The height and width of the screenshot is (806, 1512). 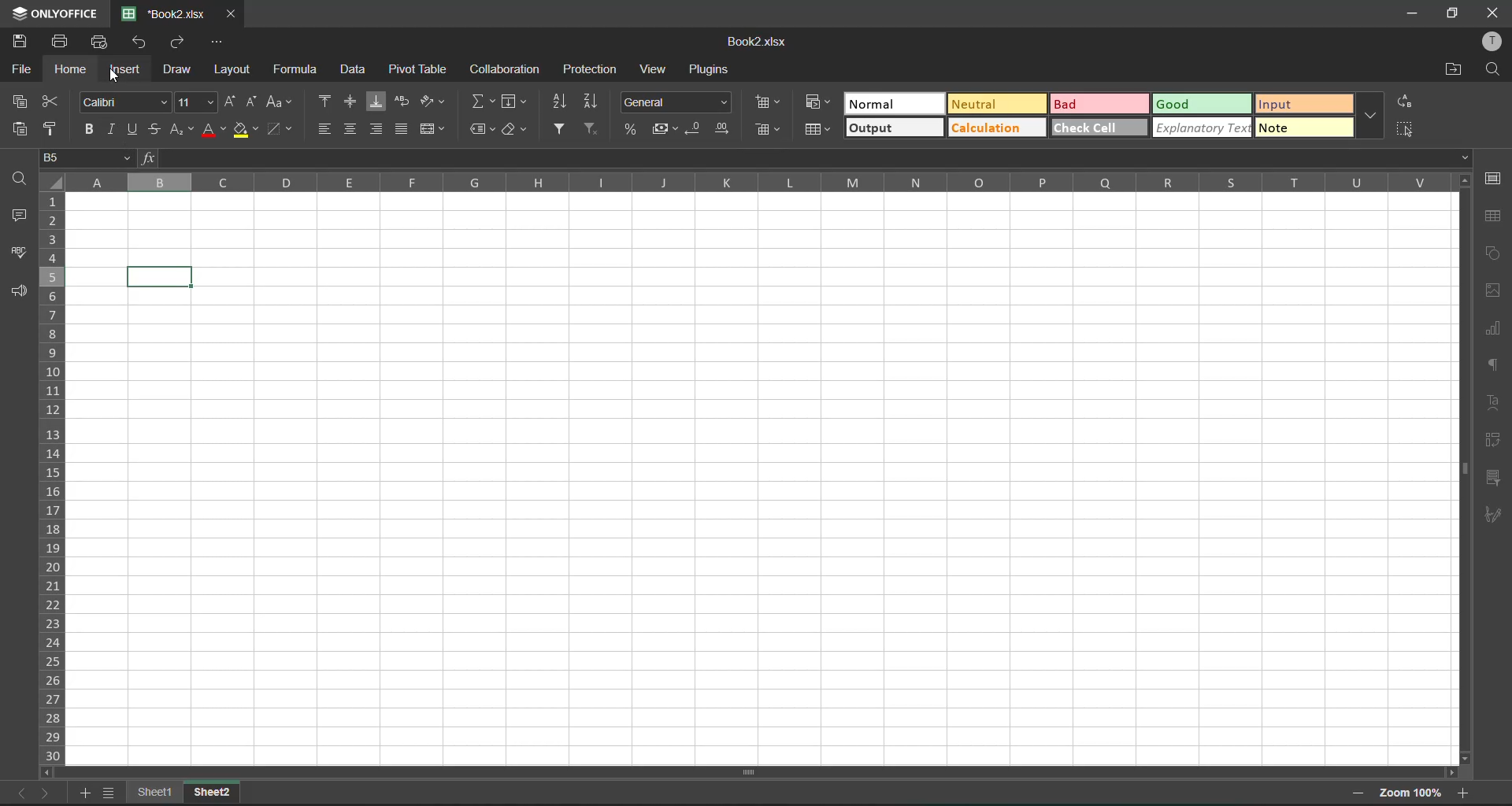 What do you see at coordinates (252, 102) in the screenshot?
I see `decrement size` at bounding box center [252, 102].